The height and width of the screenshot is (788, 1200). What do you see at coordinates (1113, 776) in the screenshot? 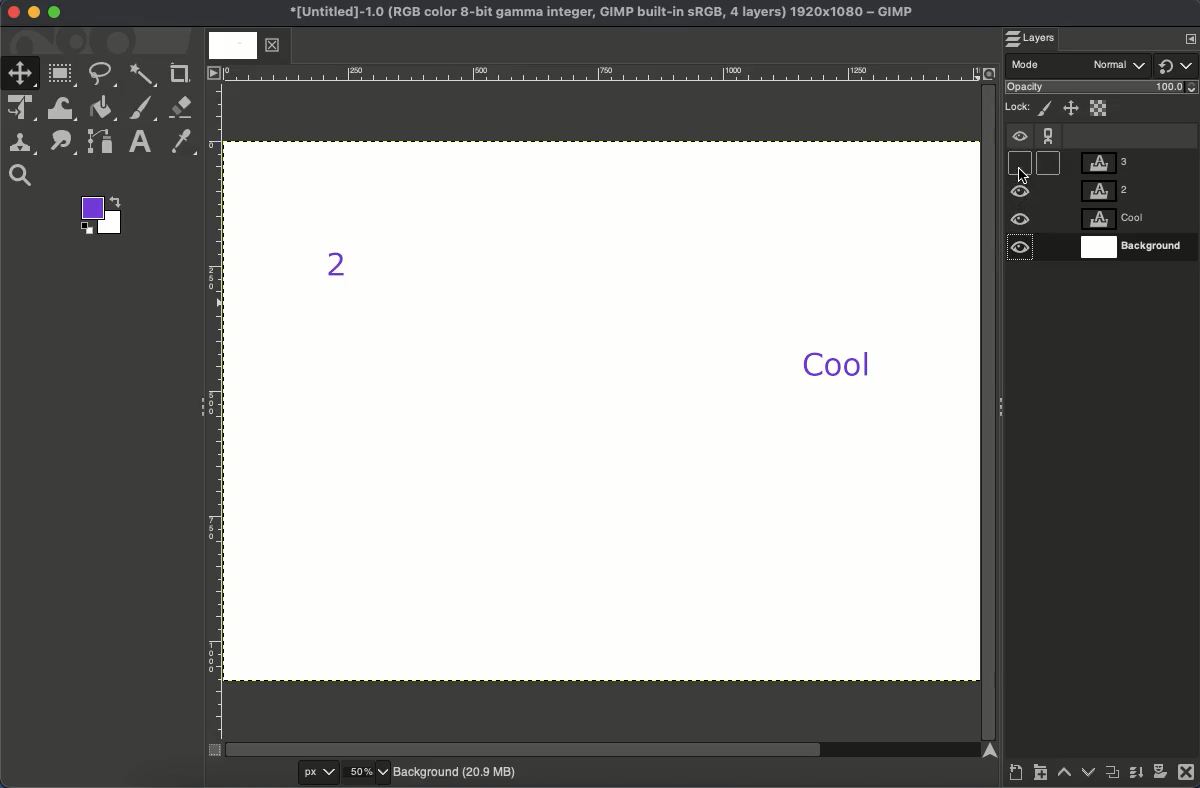
I see `Duplicate` at bounding box center [1113, 776].